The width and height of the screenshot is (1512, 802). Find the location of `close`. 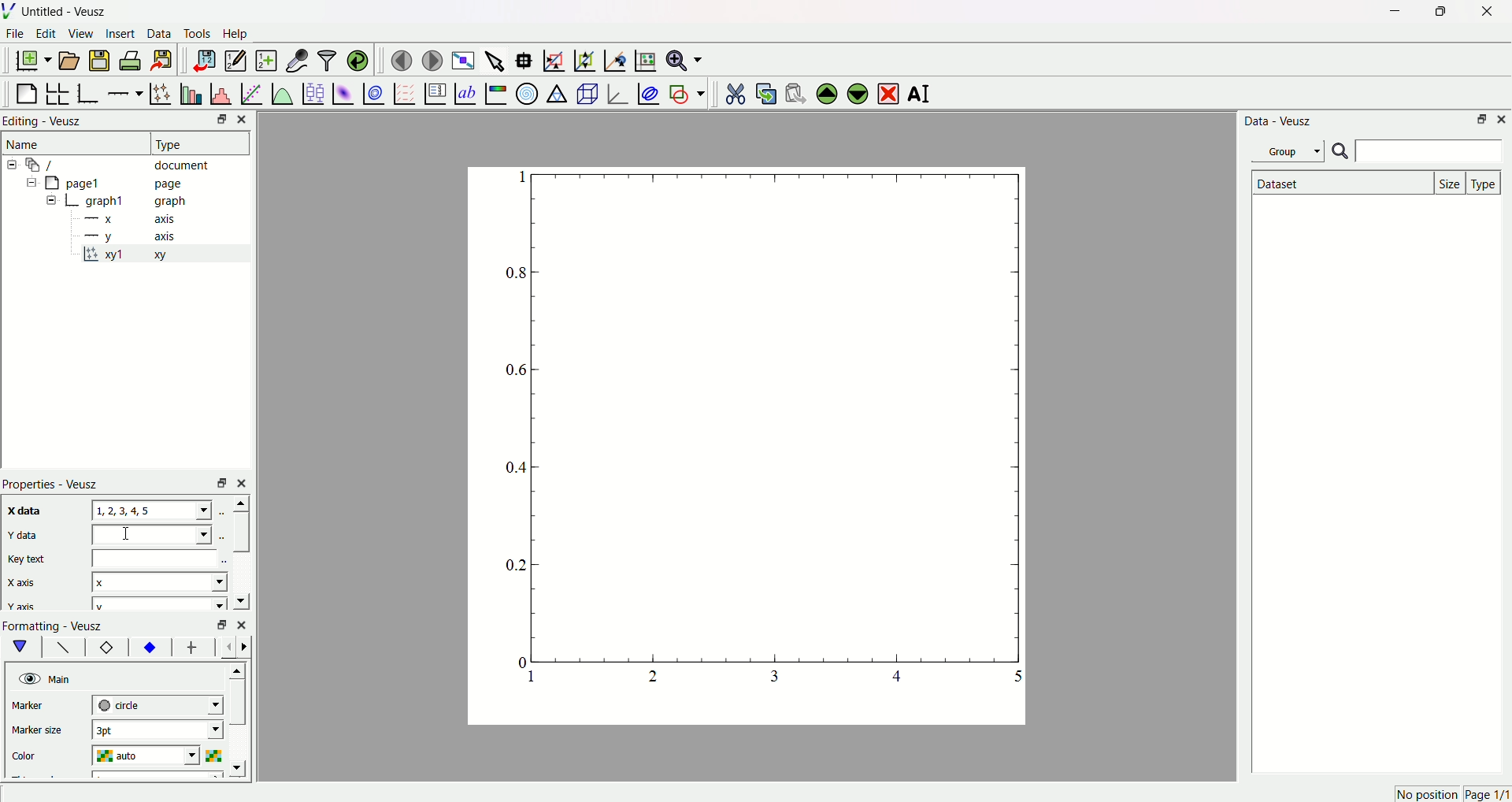

close is located at coordinates (244, 482).